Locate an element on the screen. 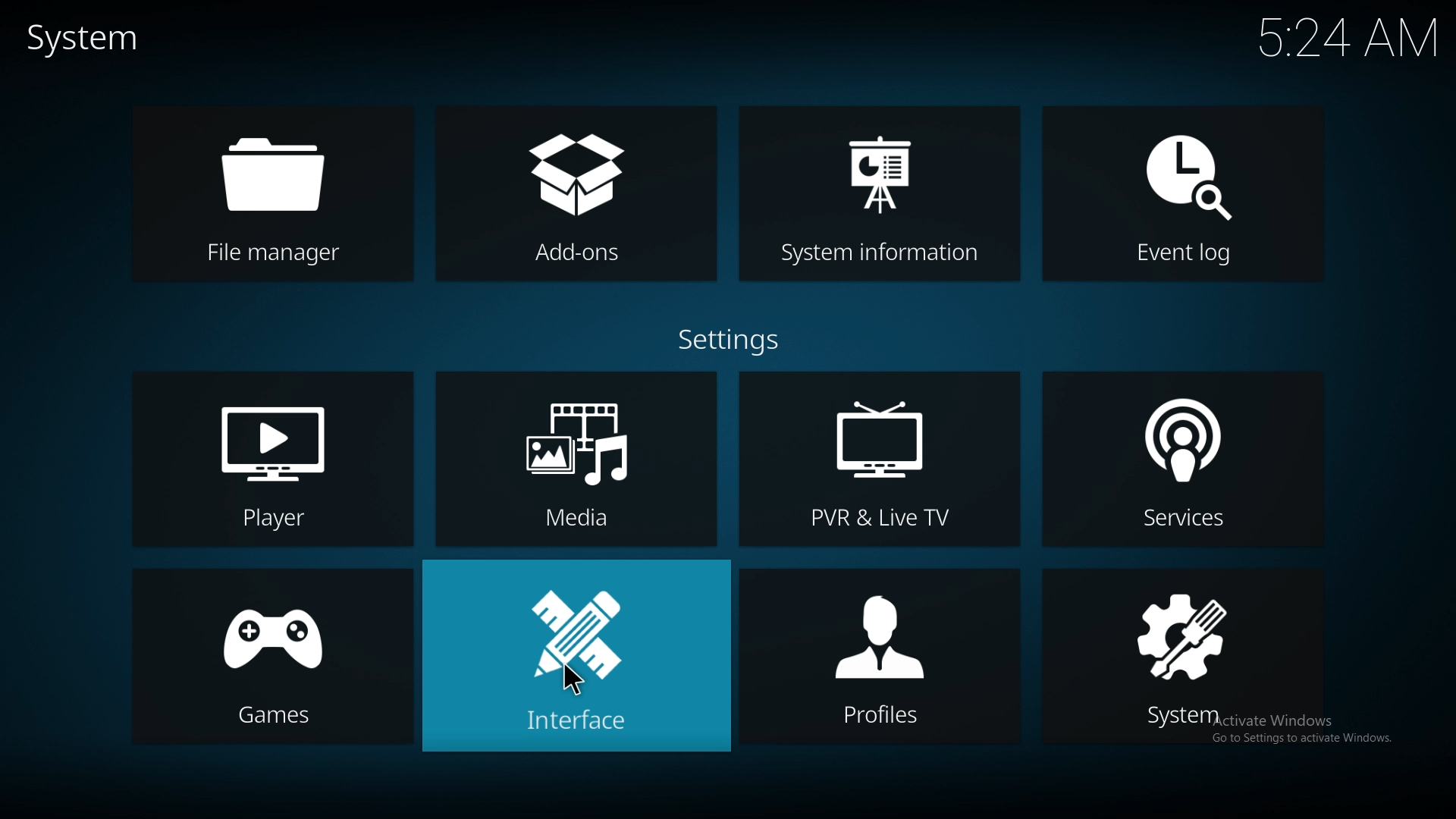  player is located at coordinates (278, 459).